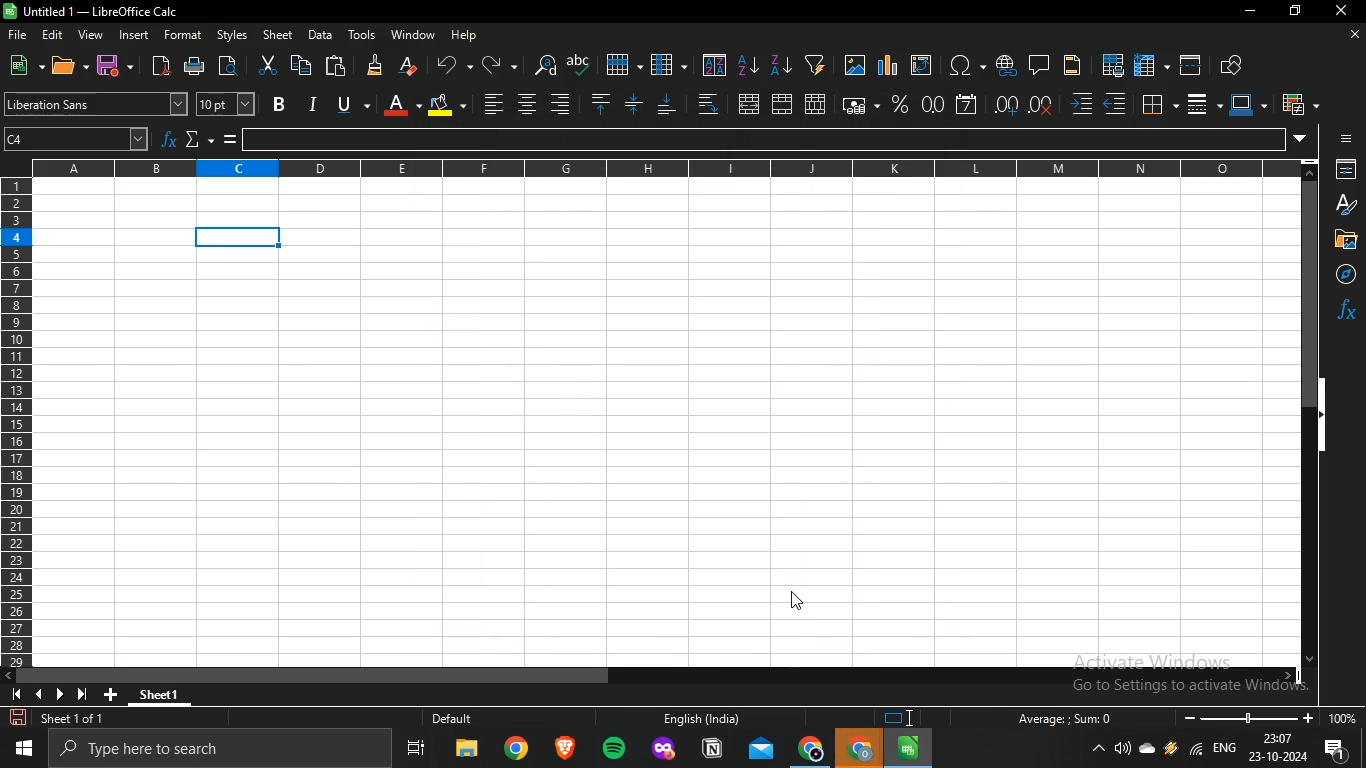 The width and height of the screenshot is (1366, 768). What do you see at coordinates (1082, 105) in the screenshot?
I see `increase indent` at bounding box center [1082, 105].